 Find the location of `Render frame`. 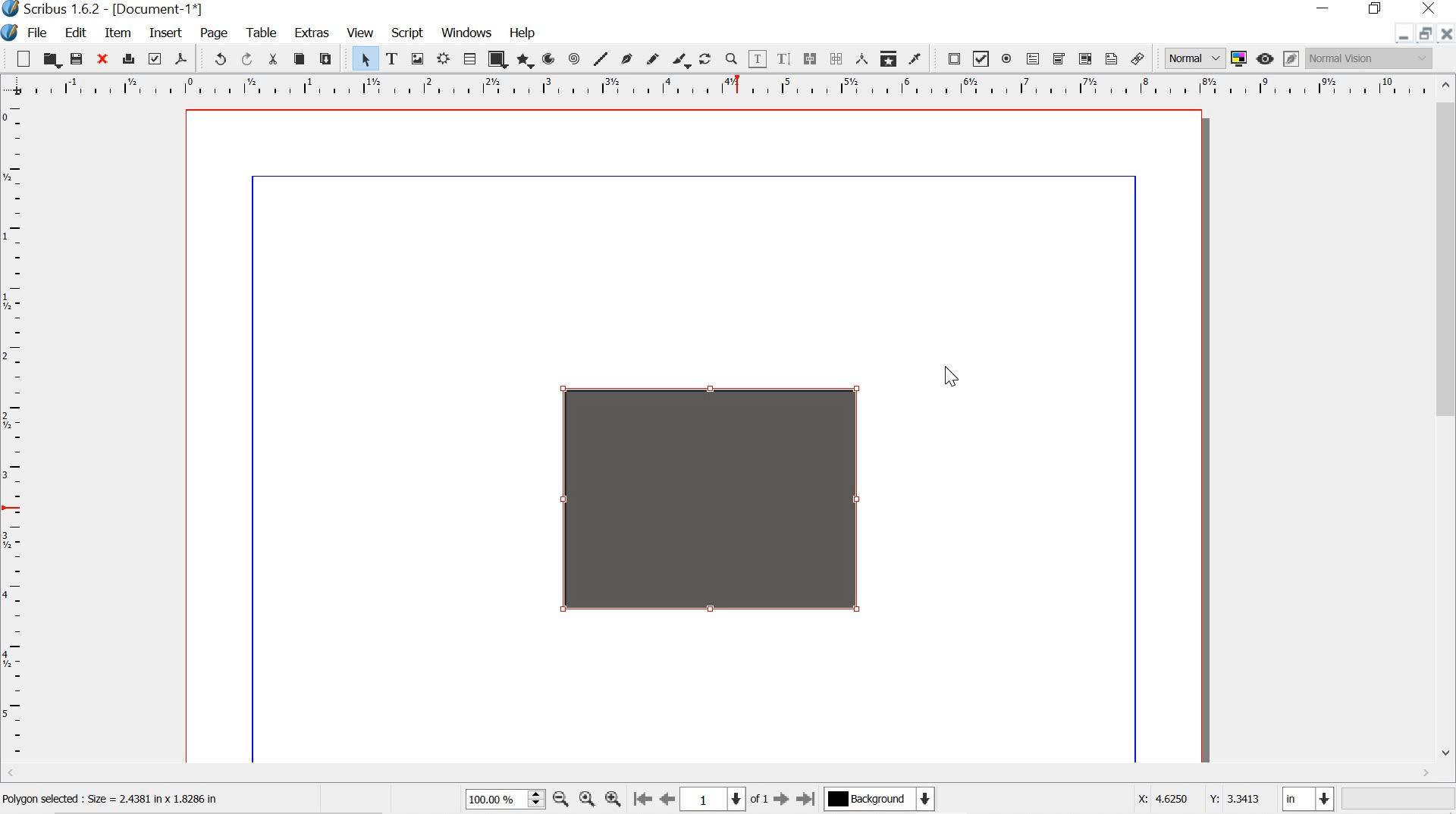

Render frame is located at coordinates (442, 59).